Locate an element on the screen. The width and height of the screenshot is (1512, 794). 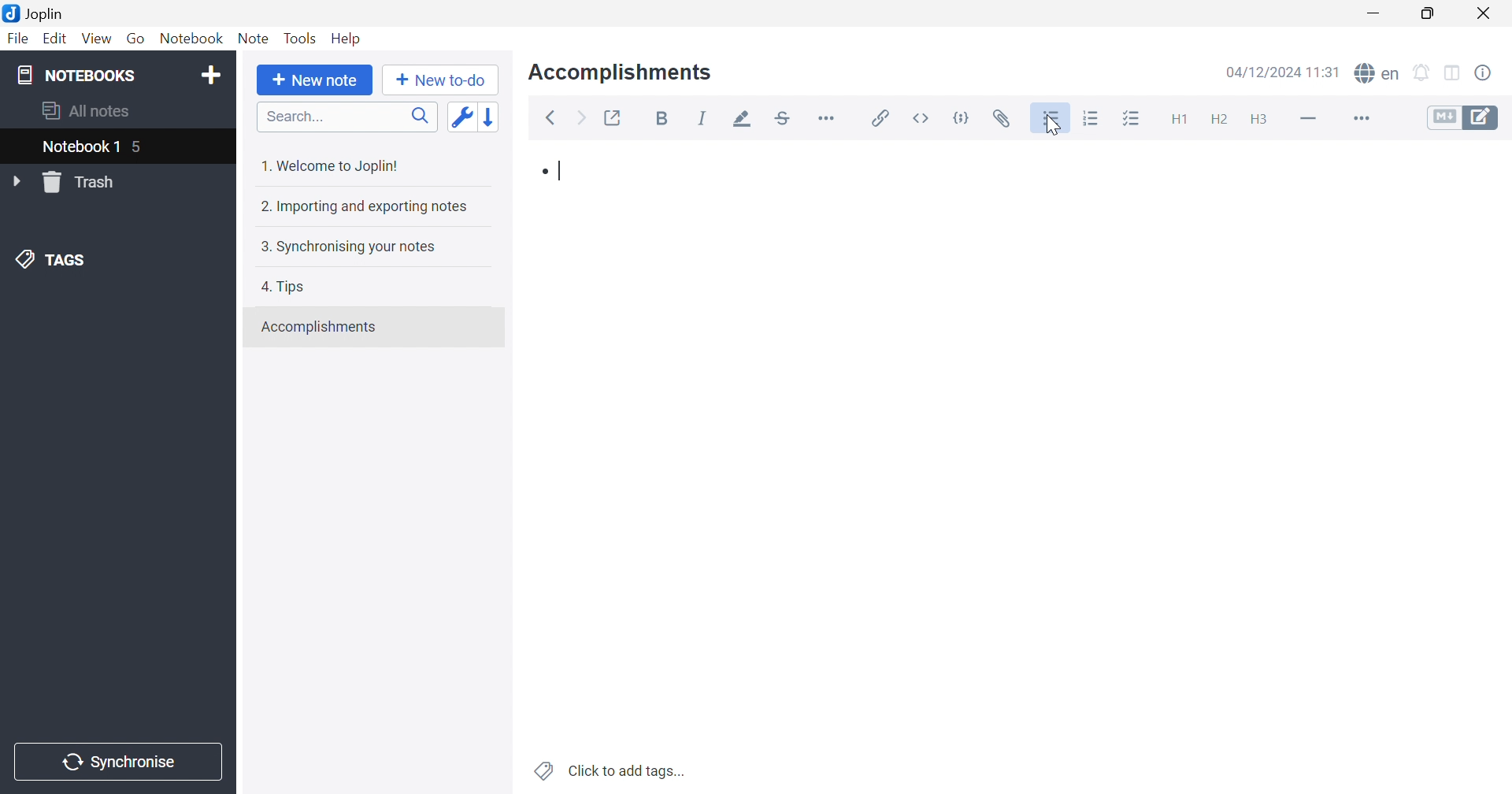
Add notebook is located at coordinates (210, 76).